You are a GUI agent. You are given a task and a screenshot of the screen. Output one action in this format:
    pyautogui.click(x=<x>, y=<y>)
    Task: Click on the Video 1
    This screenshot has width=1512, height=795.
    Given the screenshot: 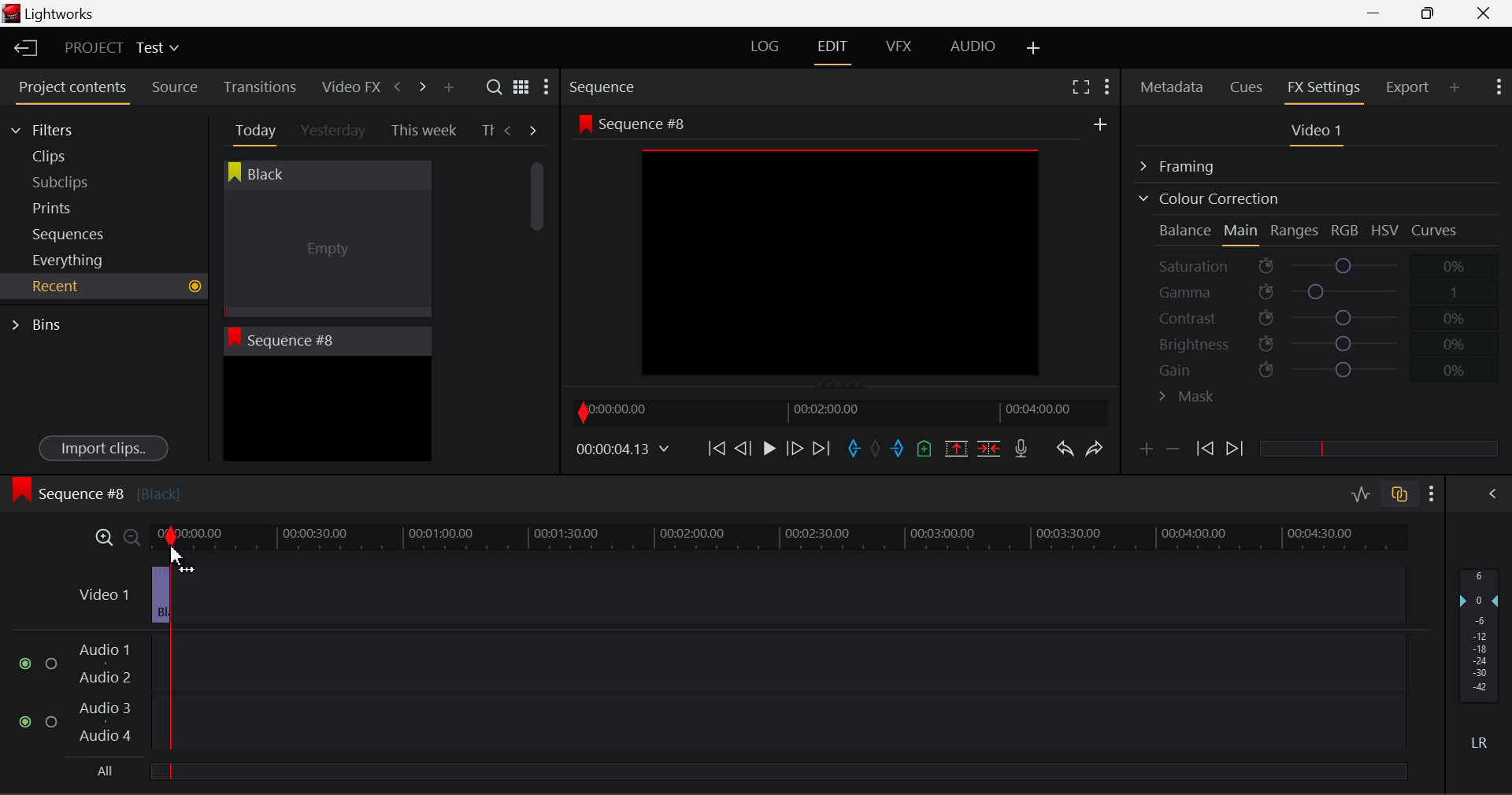 What is the action you would take?
    pyautogui.click(x=110, y=597)
    